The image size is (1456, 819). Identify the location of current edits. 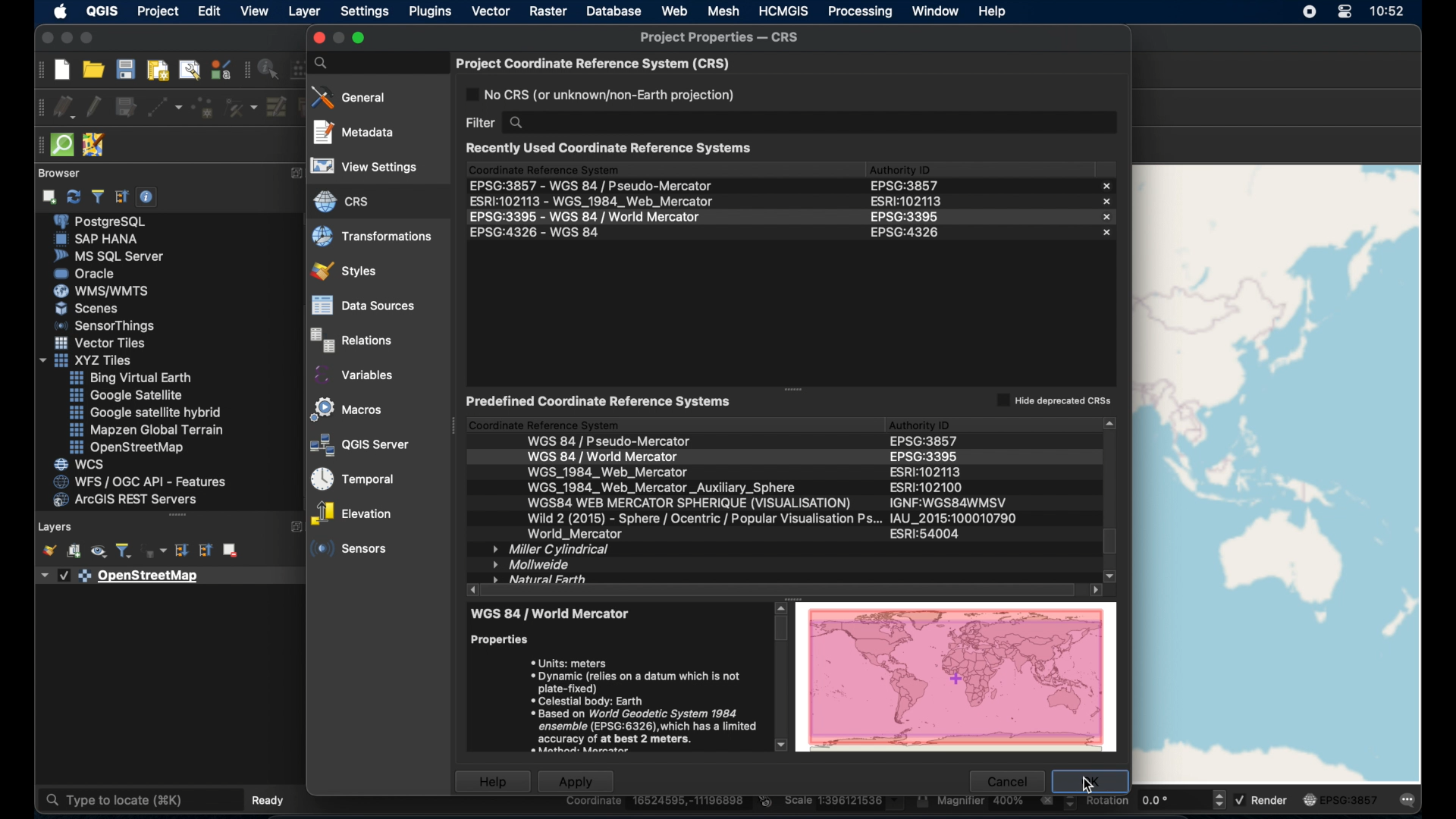
(64, 105).